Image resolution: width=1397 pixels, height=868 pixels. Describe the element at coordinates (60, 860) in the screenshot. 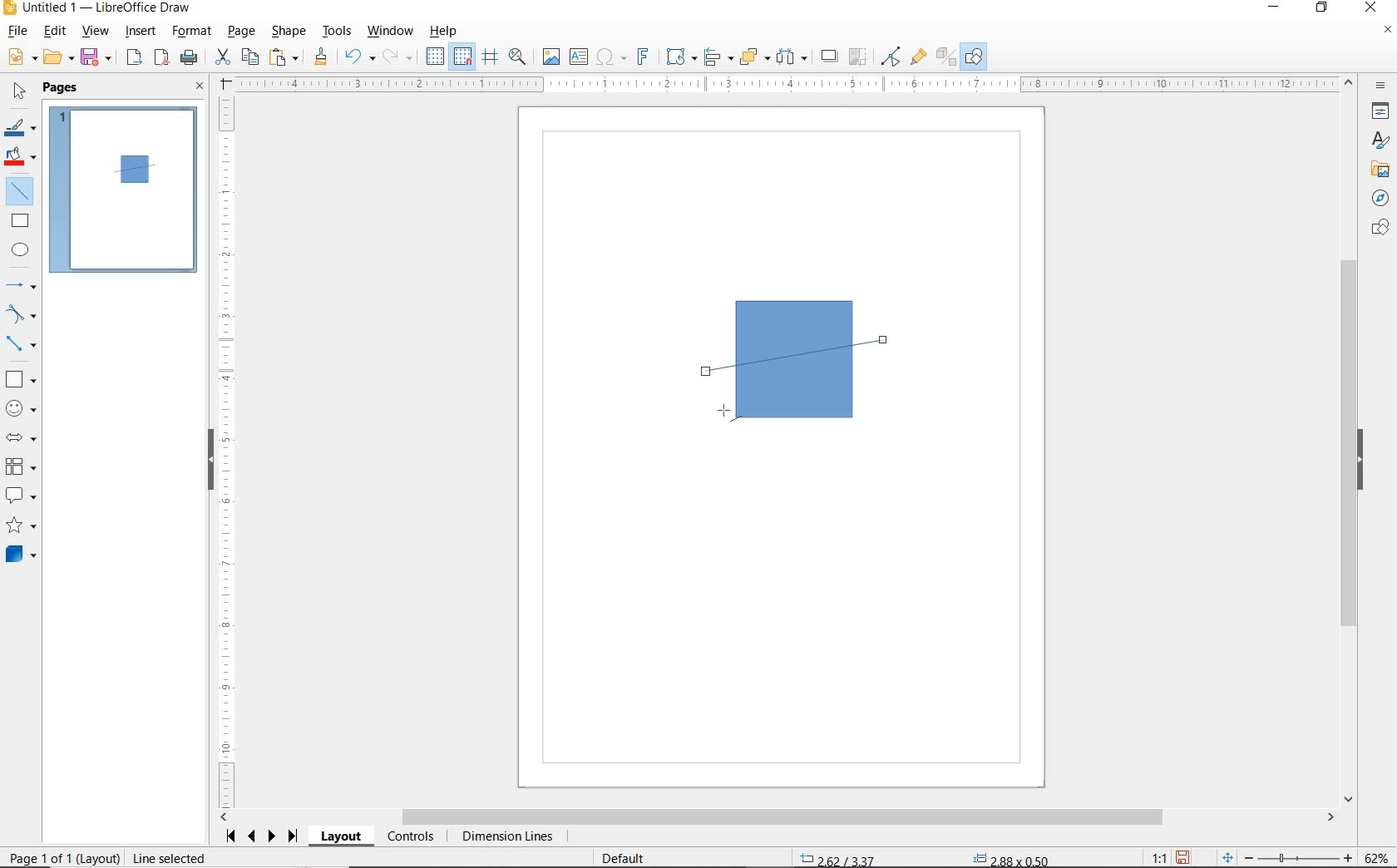

I see `PAGE 1 OF 1` at that location.